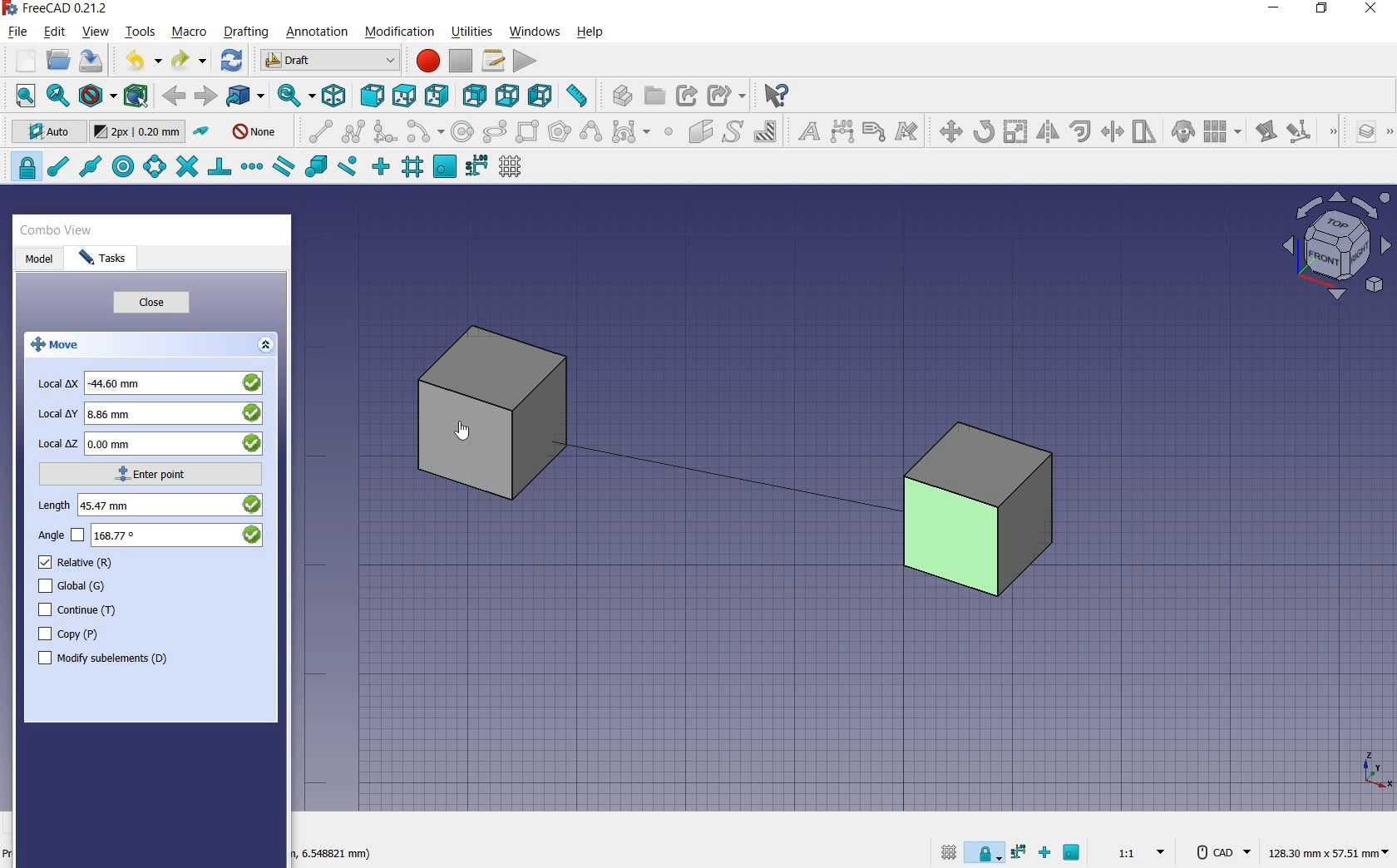 The width and height of the screenshot is (1397, 868). I want to click on dimension, so click(333, 854).